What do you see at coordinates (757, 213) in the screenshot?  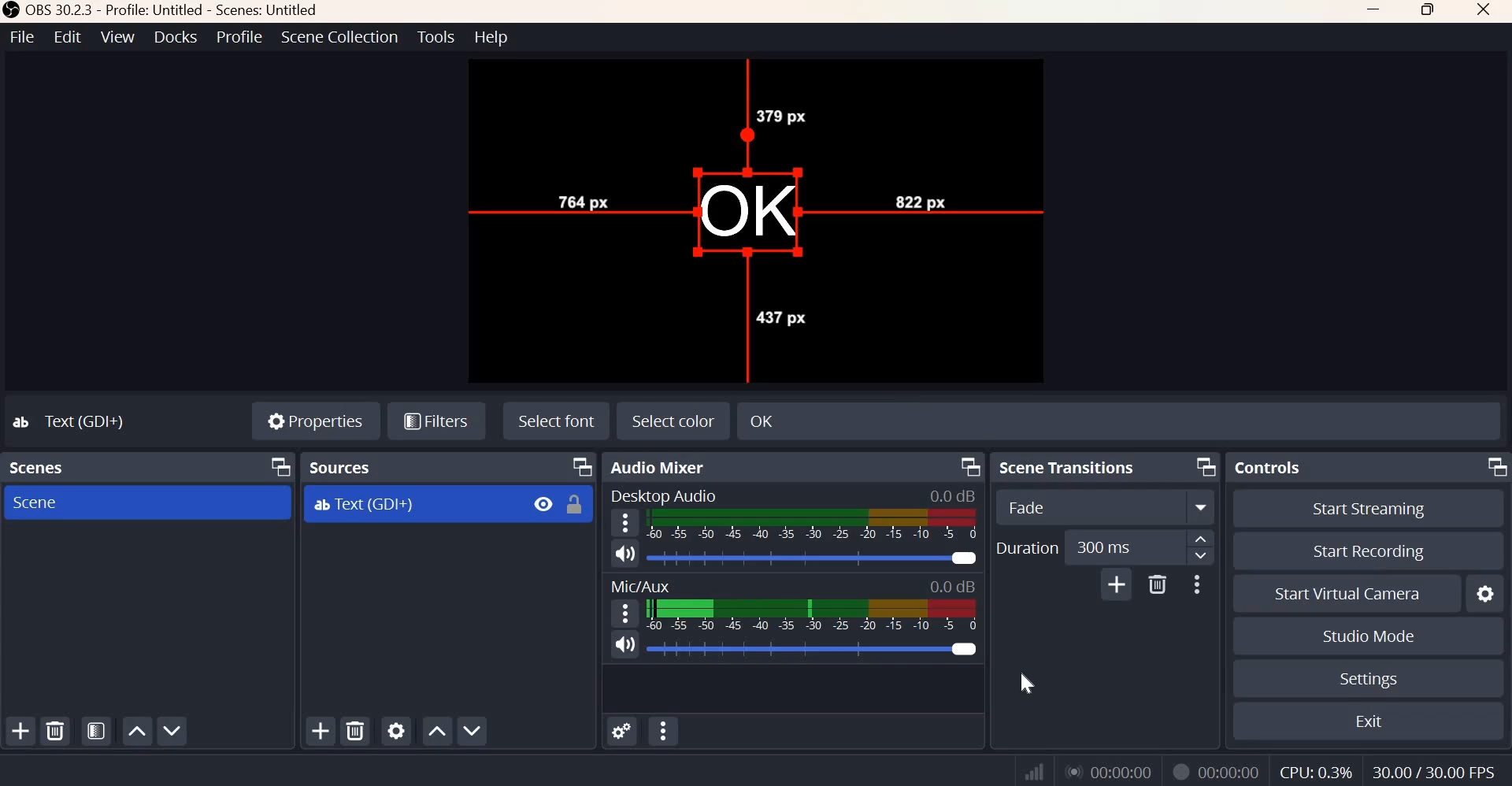 I see `move cursor` at bounding box center [757, 213].